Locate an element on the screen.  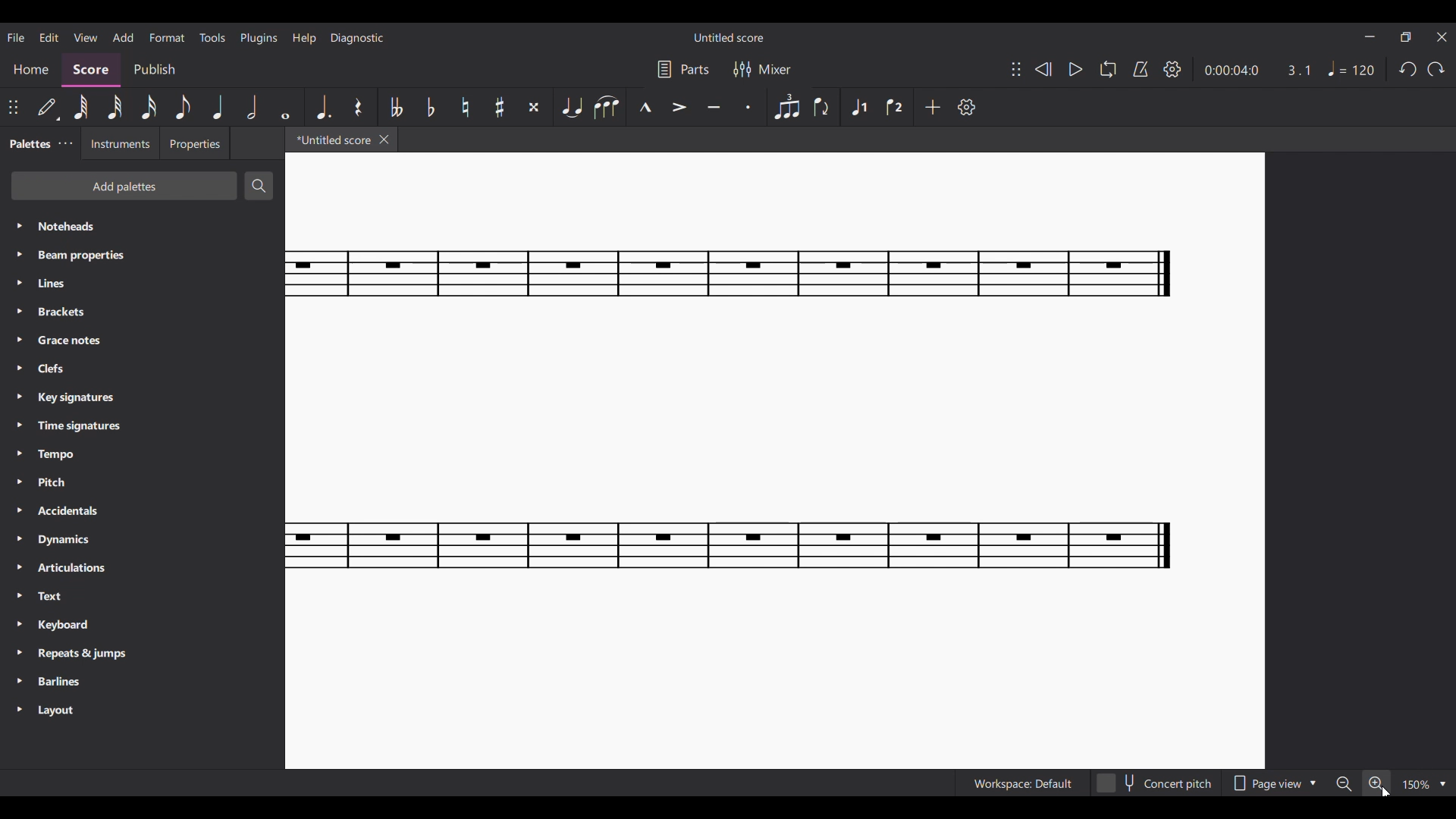
32nd note is located at coordinates (115, 108).